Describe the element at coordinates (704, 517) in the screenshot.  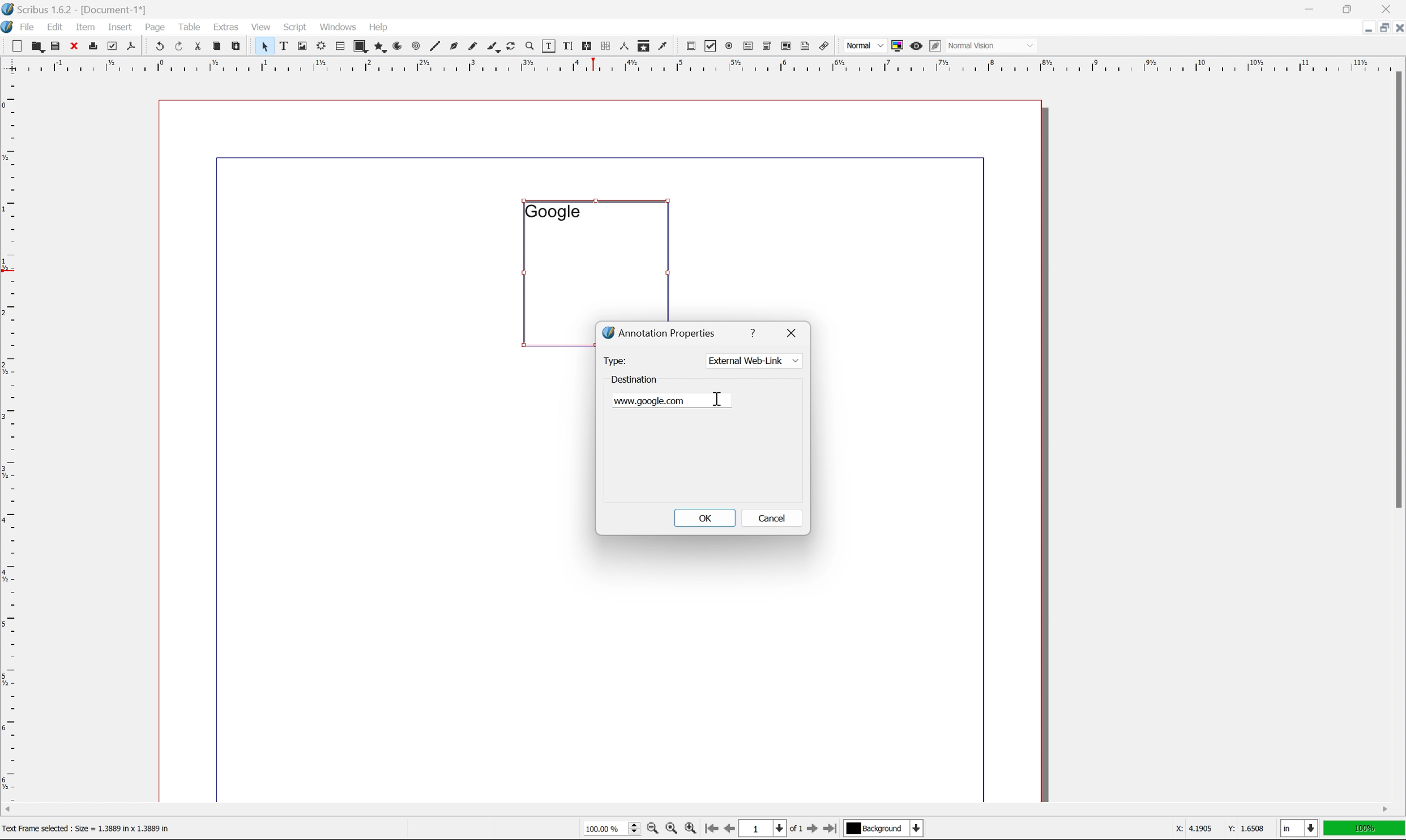
I see `OK` at that location.